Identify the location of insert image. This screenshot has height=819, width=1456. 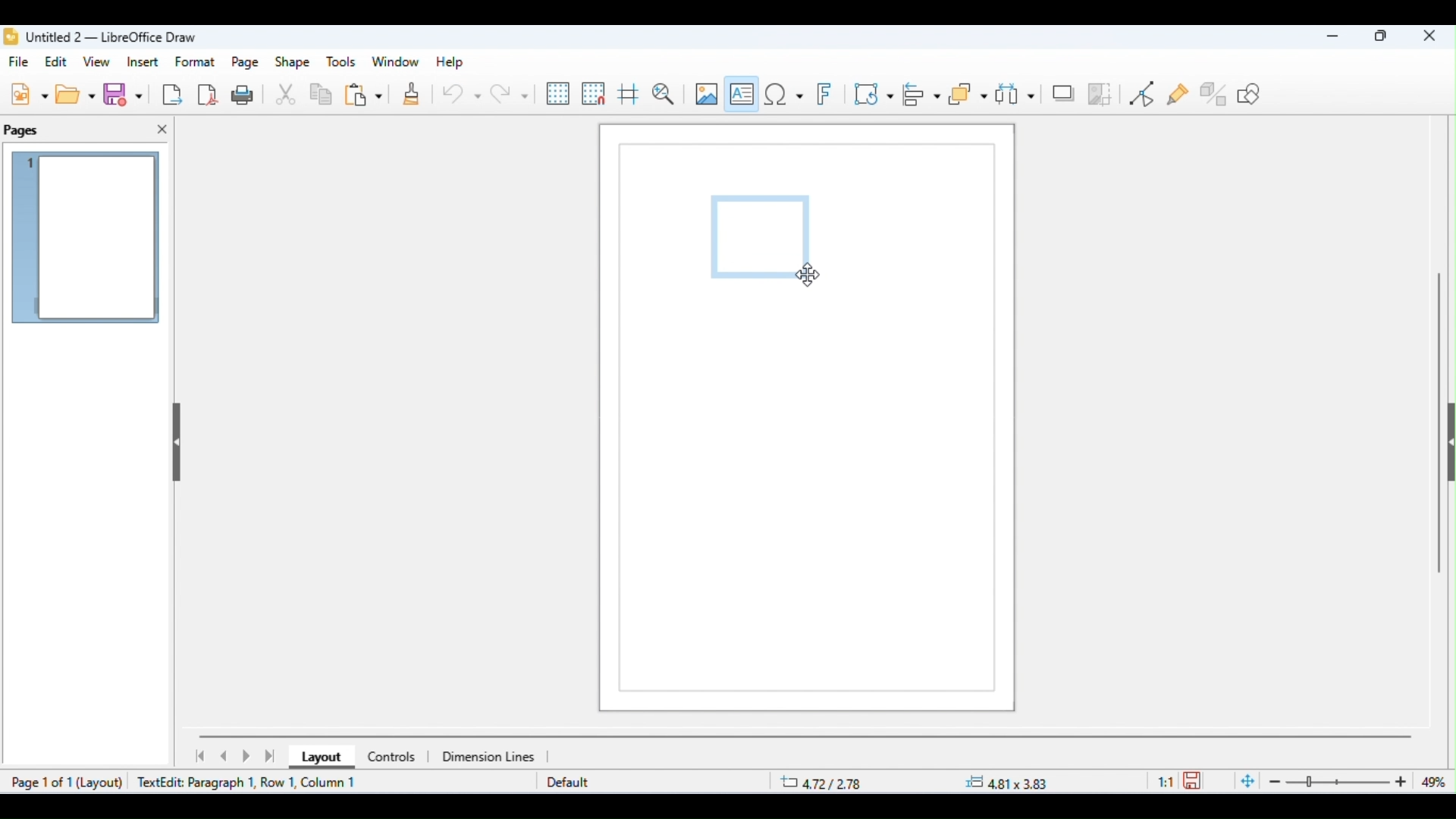
(705, 93).